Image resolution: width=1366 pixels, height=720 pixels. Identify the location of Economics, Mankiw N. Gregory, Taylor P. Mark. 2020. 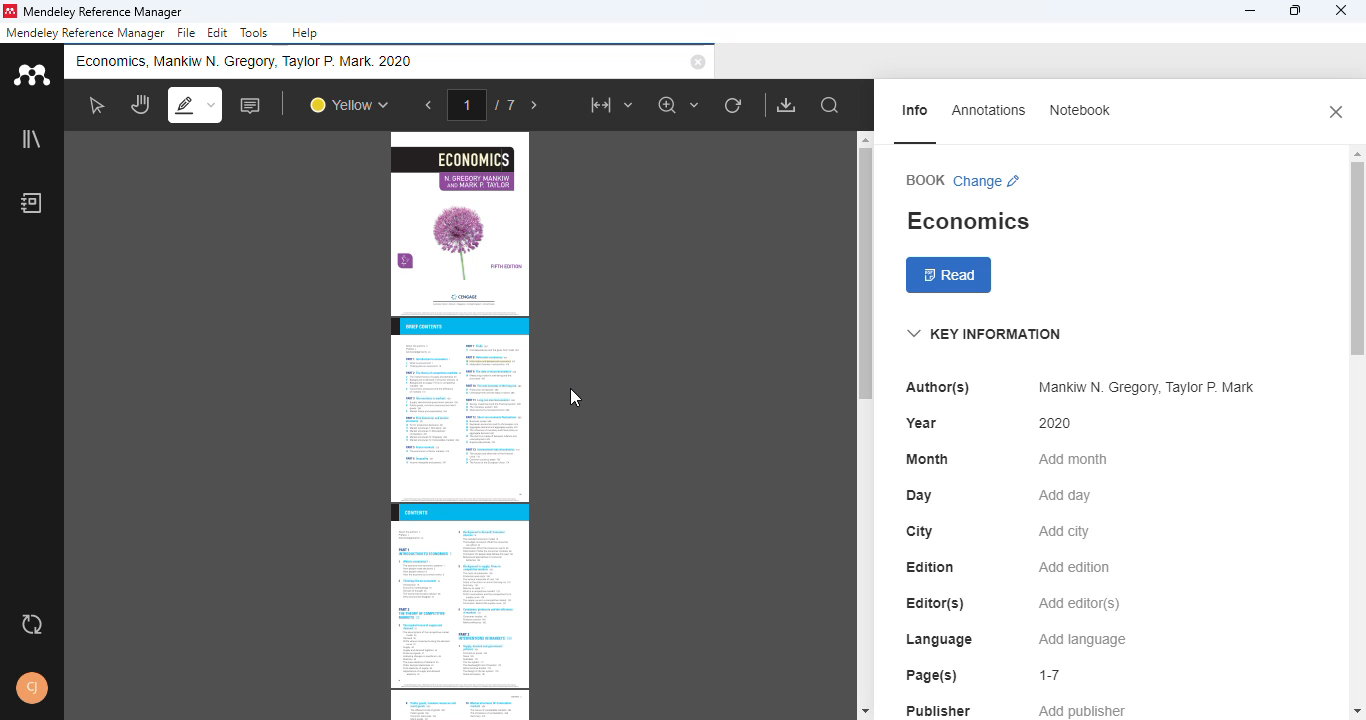
(252, 61).